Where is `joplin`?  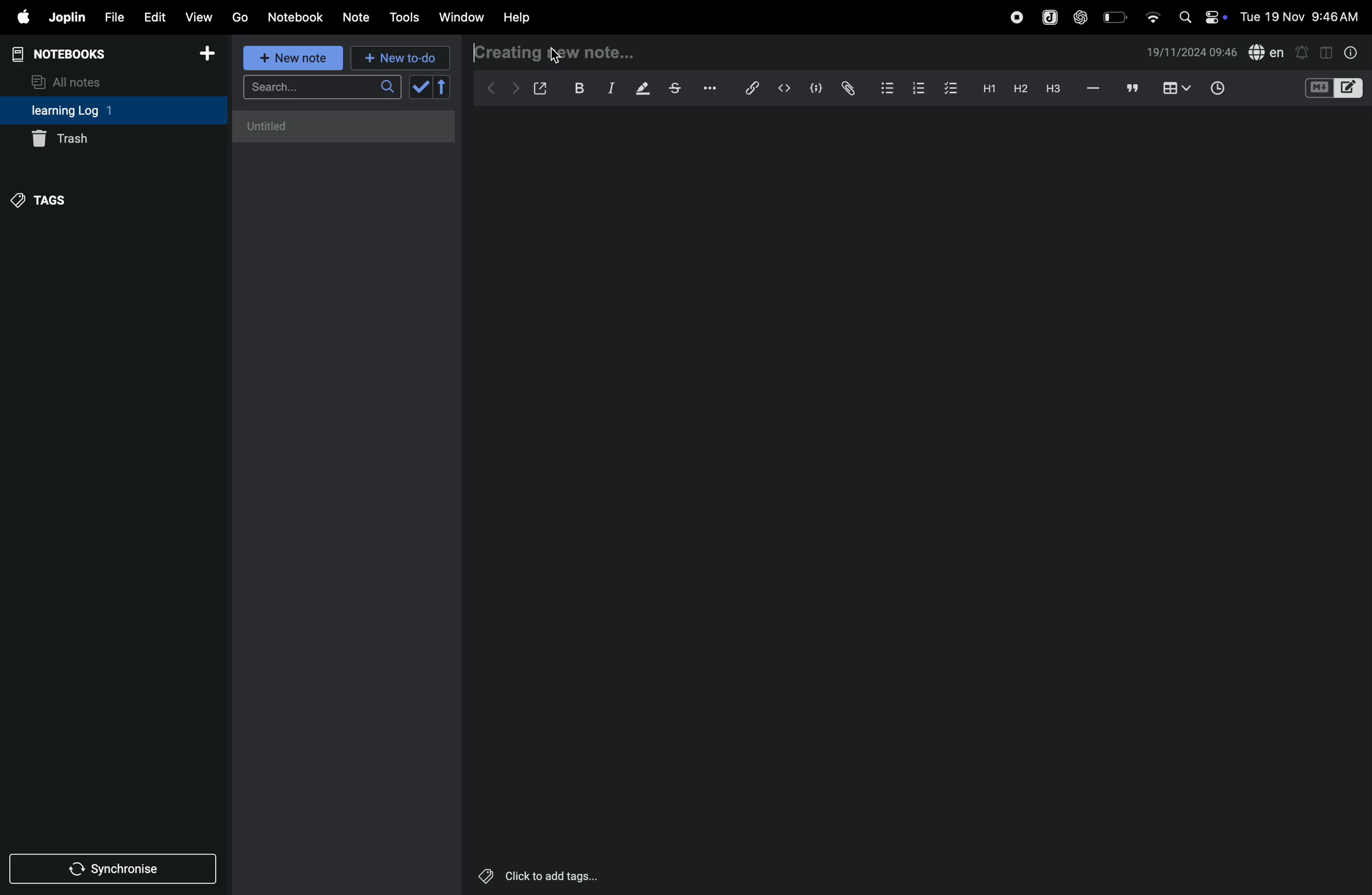
joplin is located at coordinates (66, 17).